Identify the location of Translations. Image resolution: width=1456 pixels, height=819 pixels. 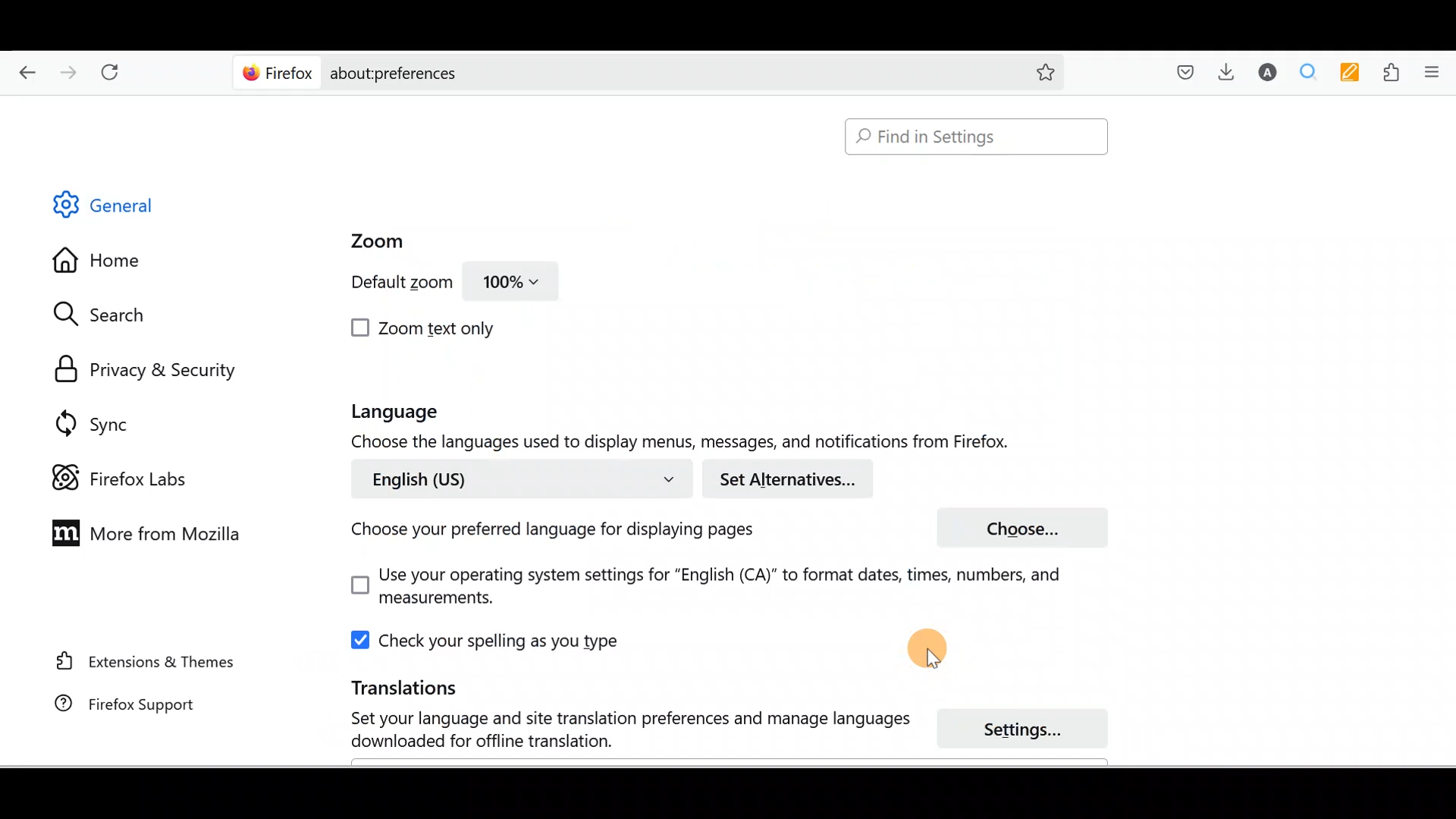
(384, 686).